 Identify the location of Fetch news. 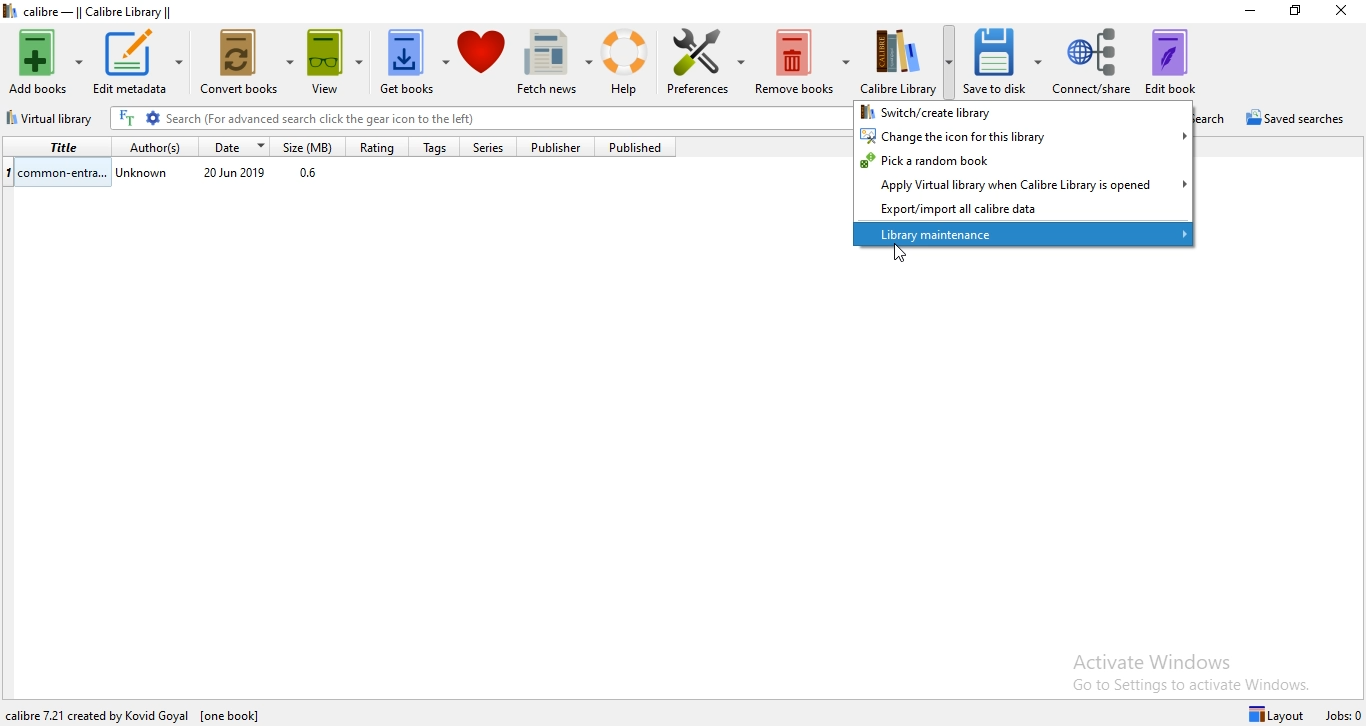
(557, 64).